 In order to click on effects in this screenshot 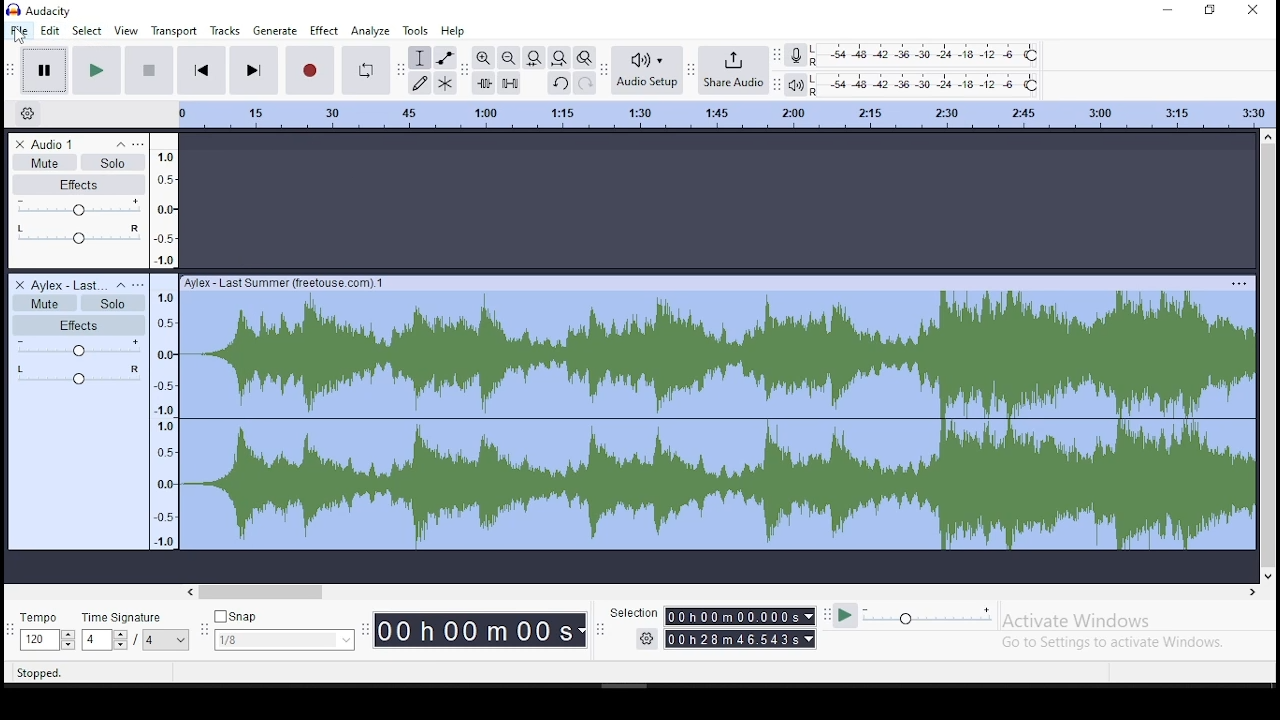, I will do `click(81, 184)`.